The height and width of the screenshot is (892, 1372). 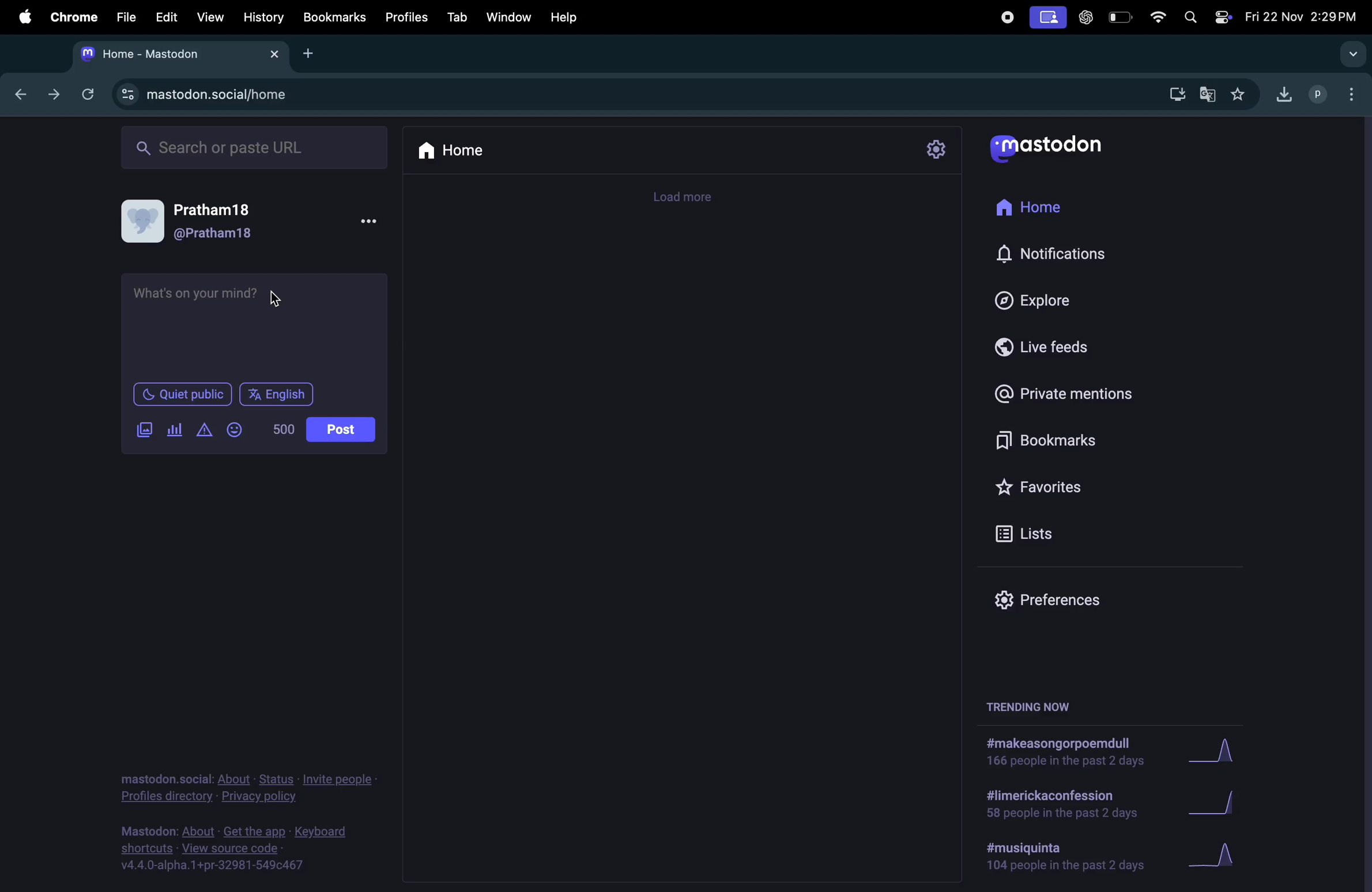 What do you see at coordinates (246, 95) in the screenshot?
I see `search url` at bounding box center [246, 95].